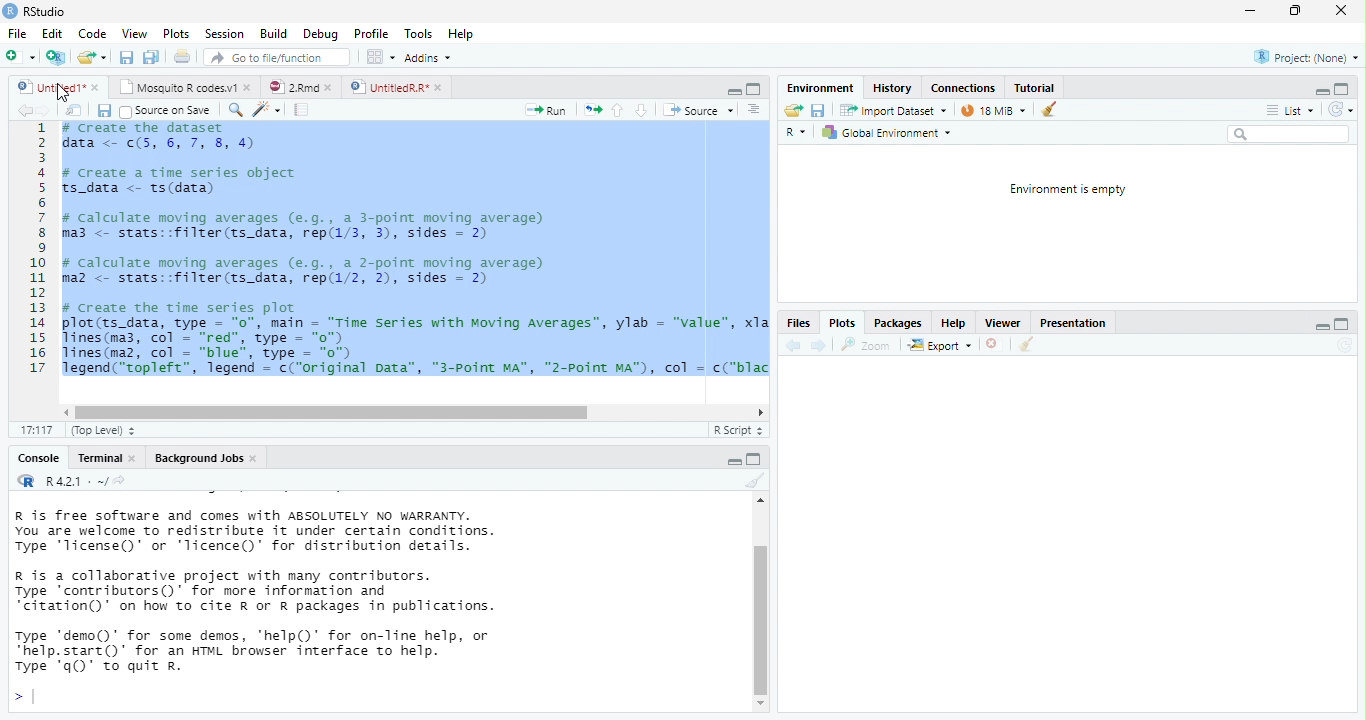  Describe the element at coordinates (761, 704) in the screenshot. I see `scrollbar down` at that location.